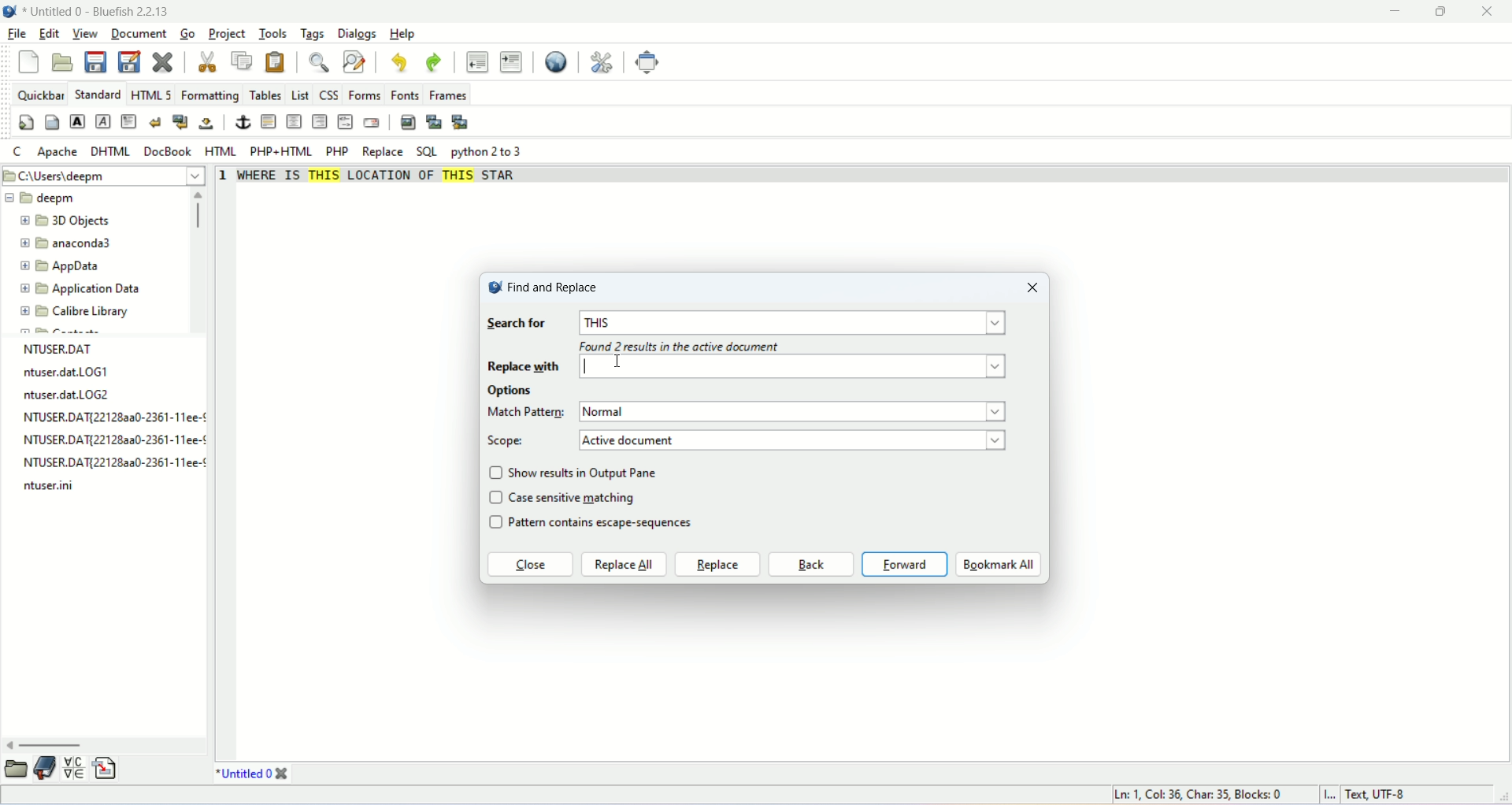  Describe the element at coordinates (319, 121) in the screenshot. I see `right justify` at that location.